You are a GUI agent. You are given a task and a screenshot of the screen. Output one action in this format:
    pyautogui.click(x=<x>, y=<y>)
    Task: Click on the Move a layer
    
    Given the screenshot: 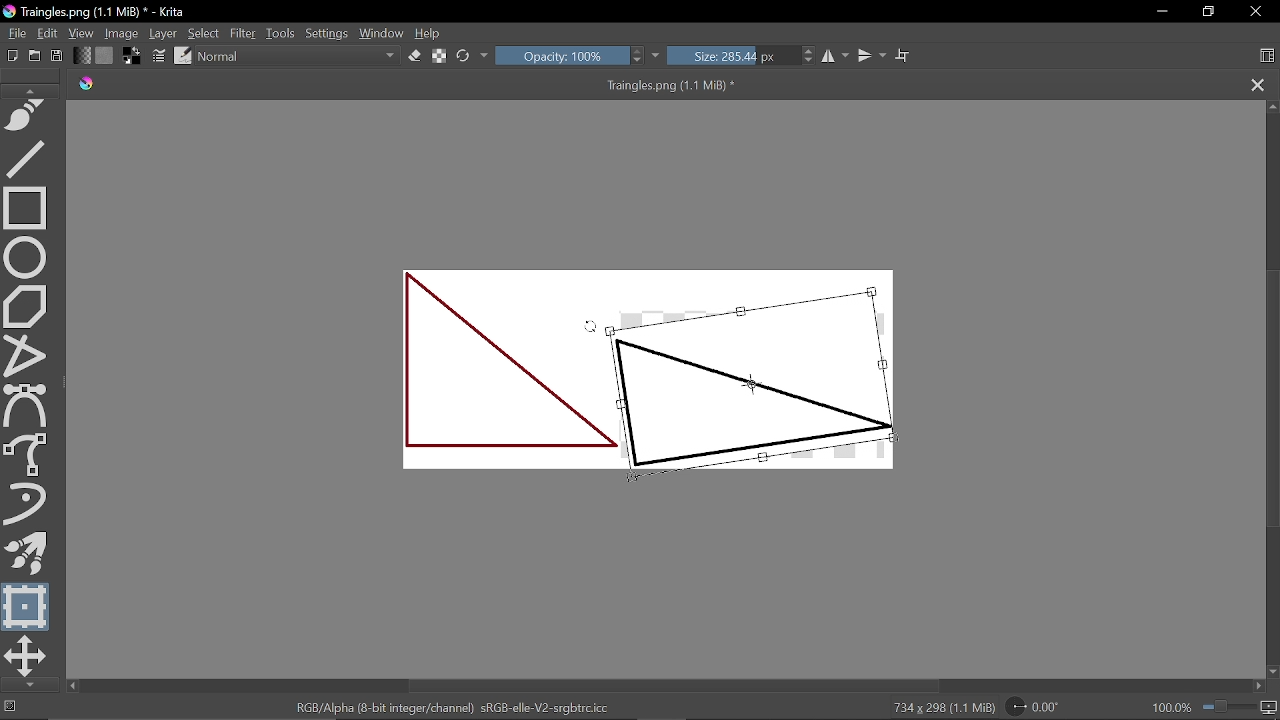 What is the action you would take?
    pyautogui.click(x=26, y=656)
    